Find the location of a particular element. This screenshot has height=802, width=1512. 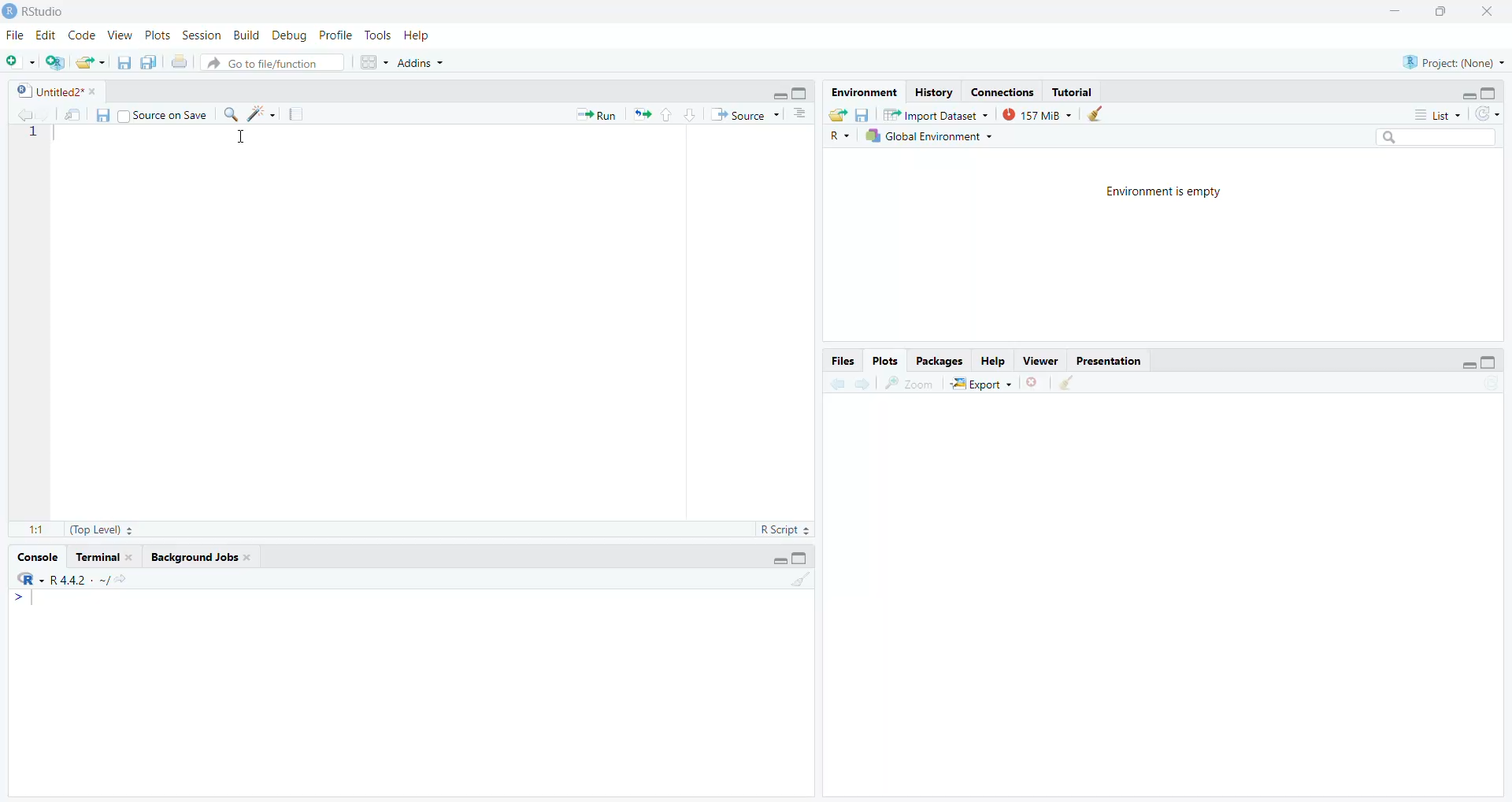

view the current working directory is located at coordinates (122, 578).